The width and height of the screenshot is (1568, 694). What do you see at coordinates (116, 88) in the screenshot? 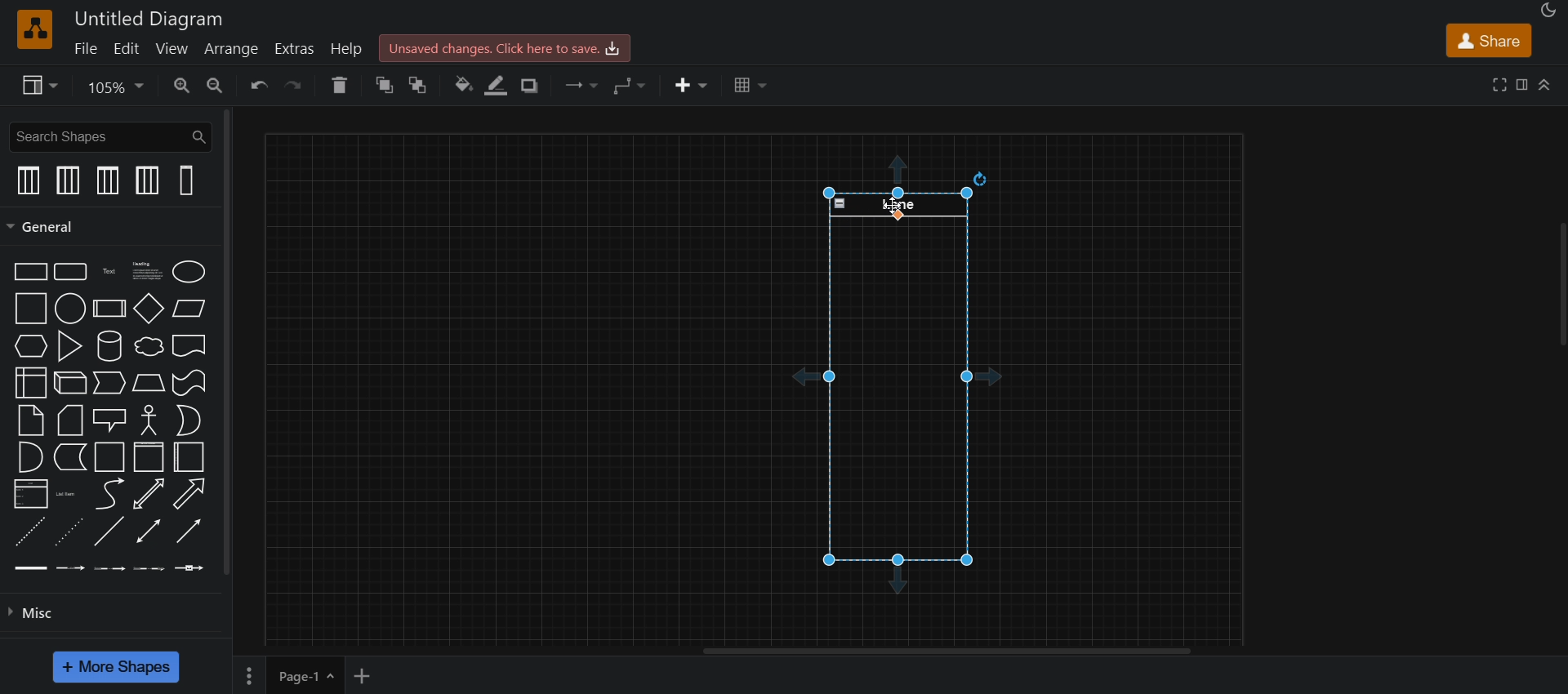
I see `zoom` at bounding box center [116, 88].